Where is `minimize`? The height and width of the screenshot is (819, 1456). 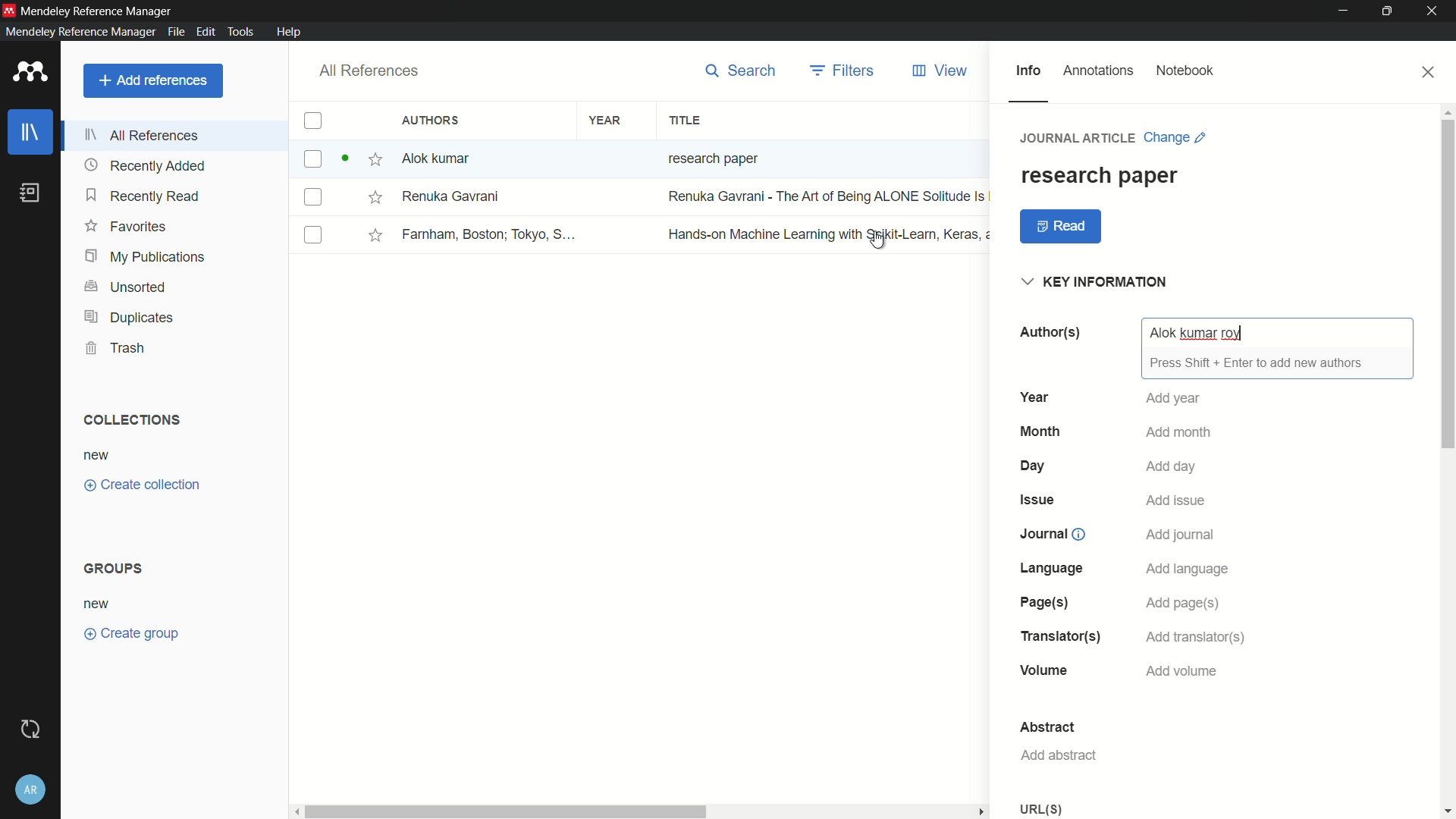
minimize is located at coordinates (1344, 11).